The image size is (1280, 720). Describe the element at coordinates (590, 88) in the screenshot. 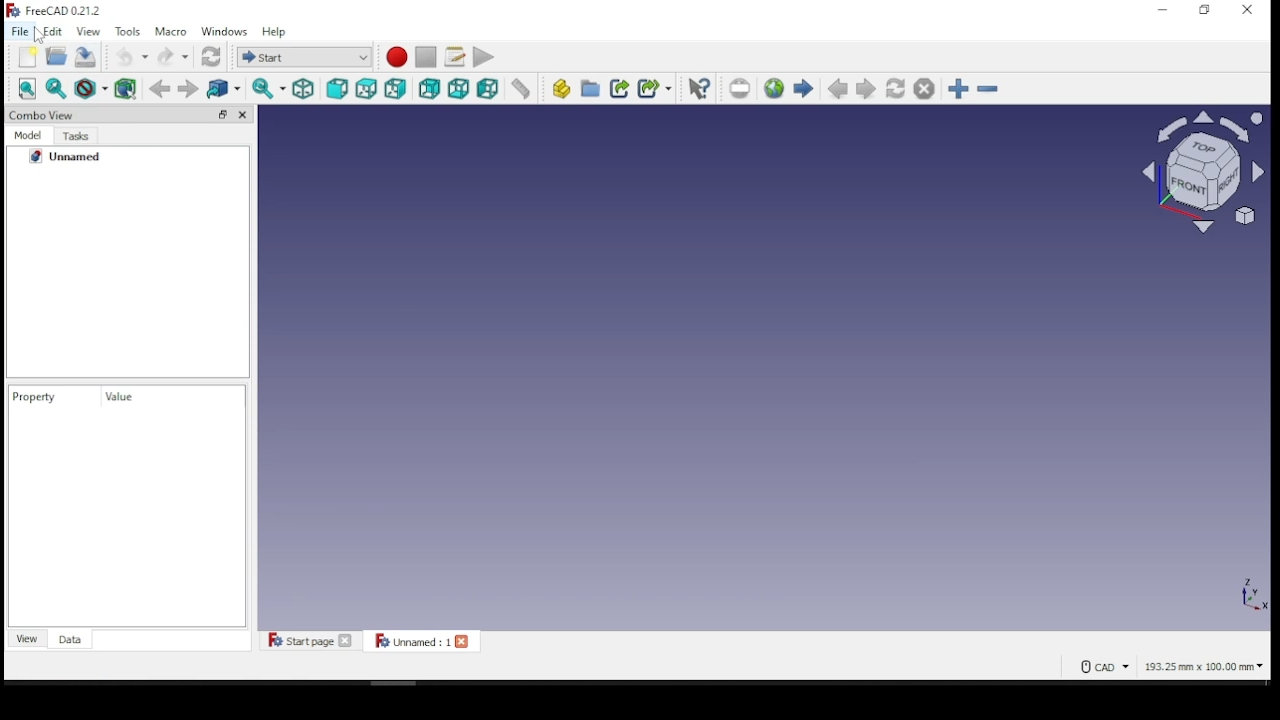

I see `create group` at that location.